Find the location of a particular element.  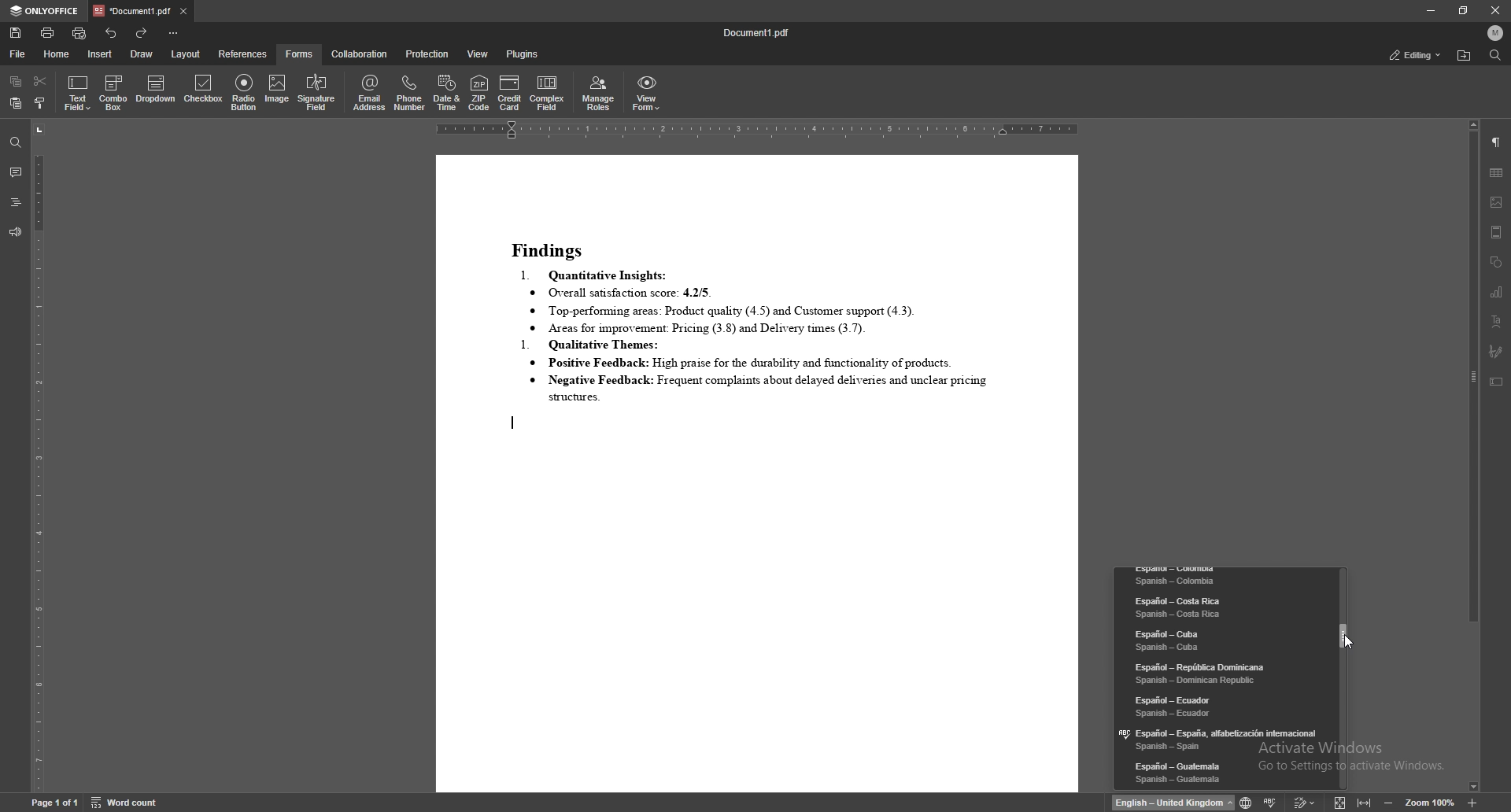

text art is located at coordinates (1497, 321).